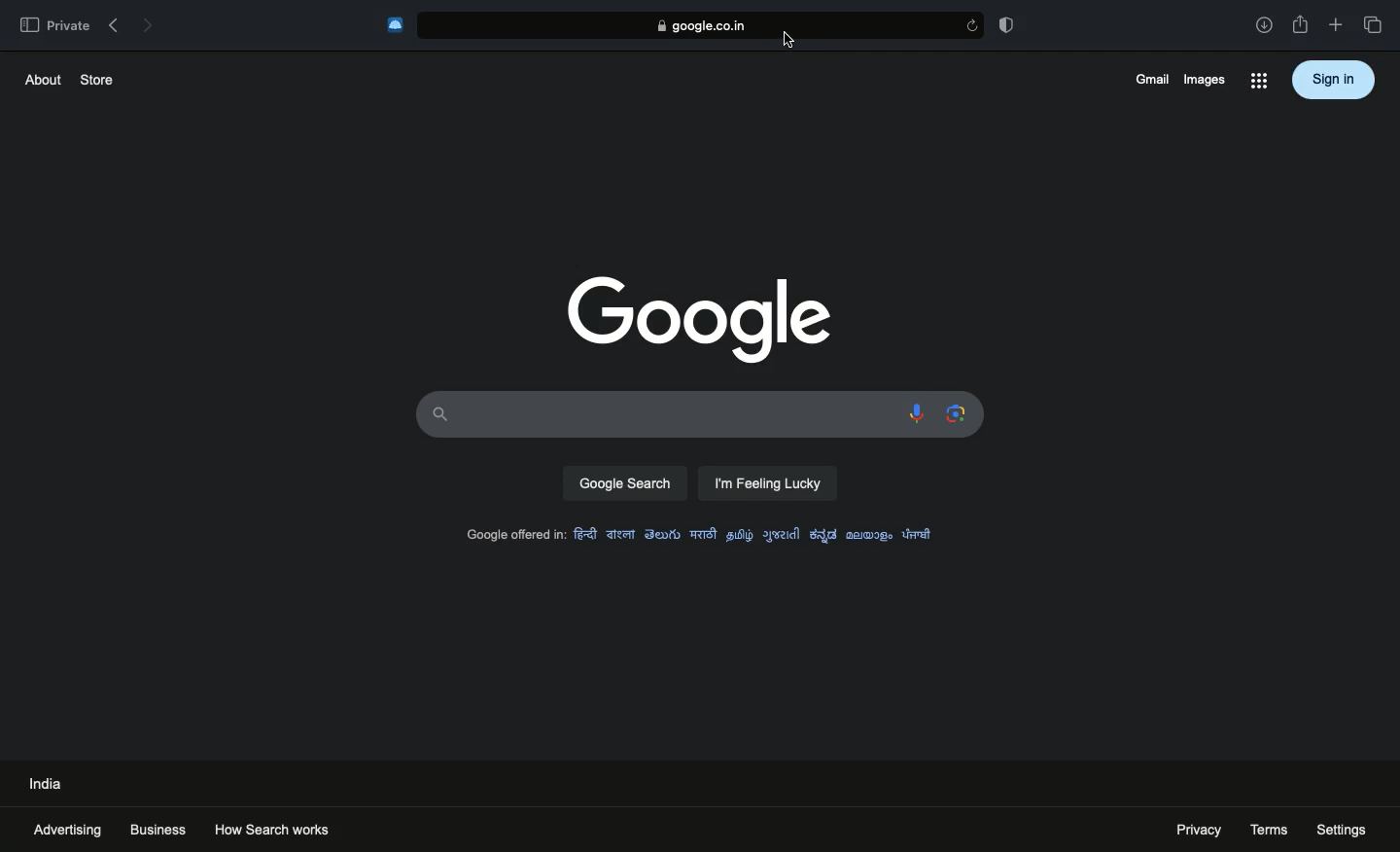 The height and width of the screenshot is (852, 1400). I want to click on privacy, so click(1192, 830).